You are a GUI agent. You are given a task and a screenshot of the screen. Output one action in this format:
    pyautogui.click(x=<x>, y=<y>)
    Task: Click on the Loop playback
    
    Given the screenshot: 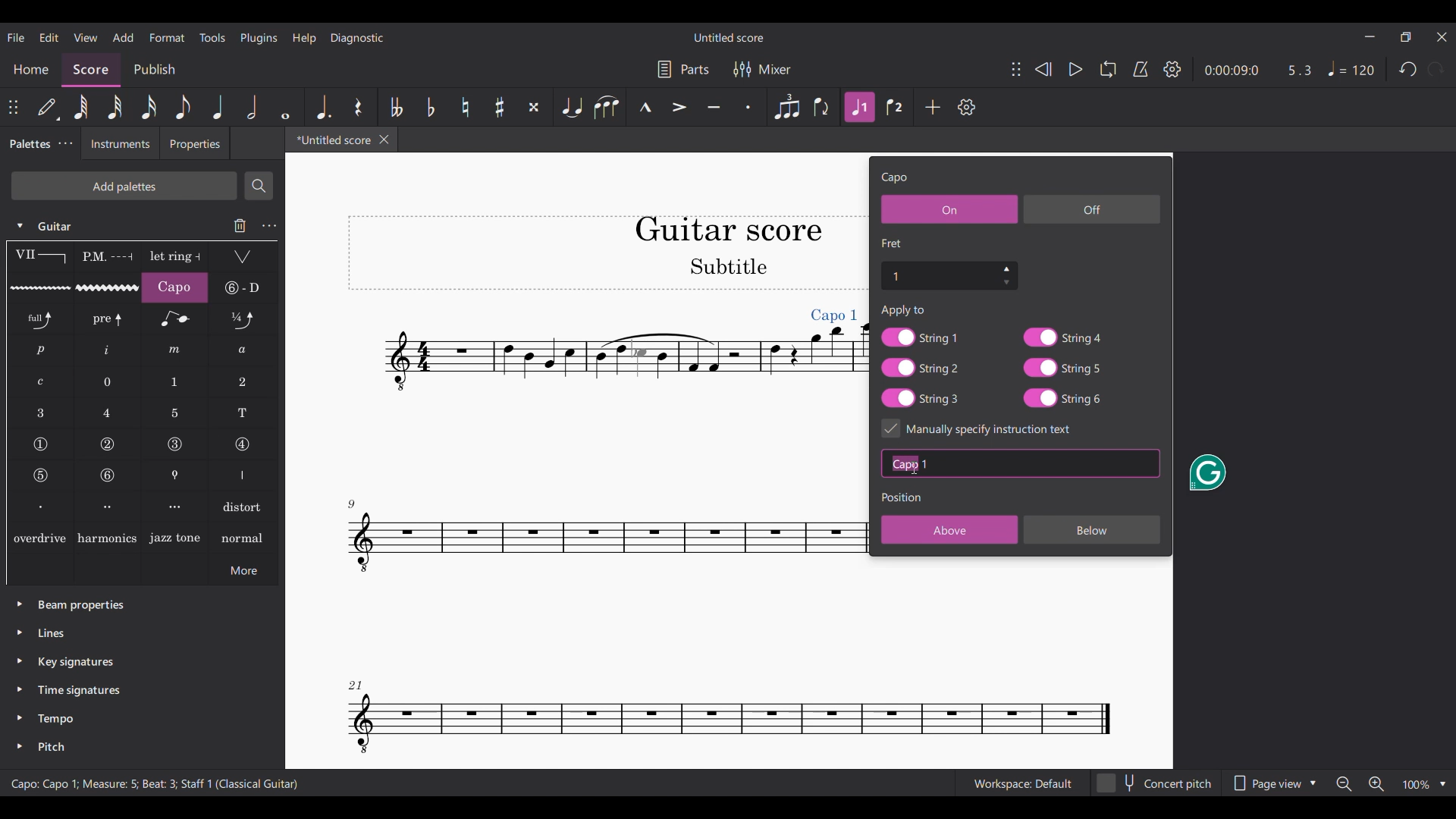 What is the action you would take?
    pyautogui.click(x=1108, y=69)
    